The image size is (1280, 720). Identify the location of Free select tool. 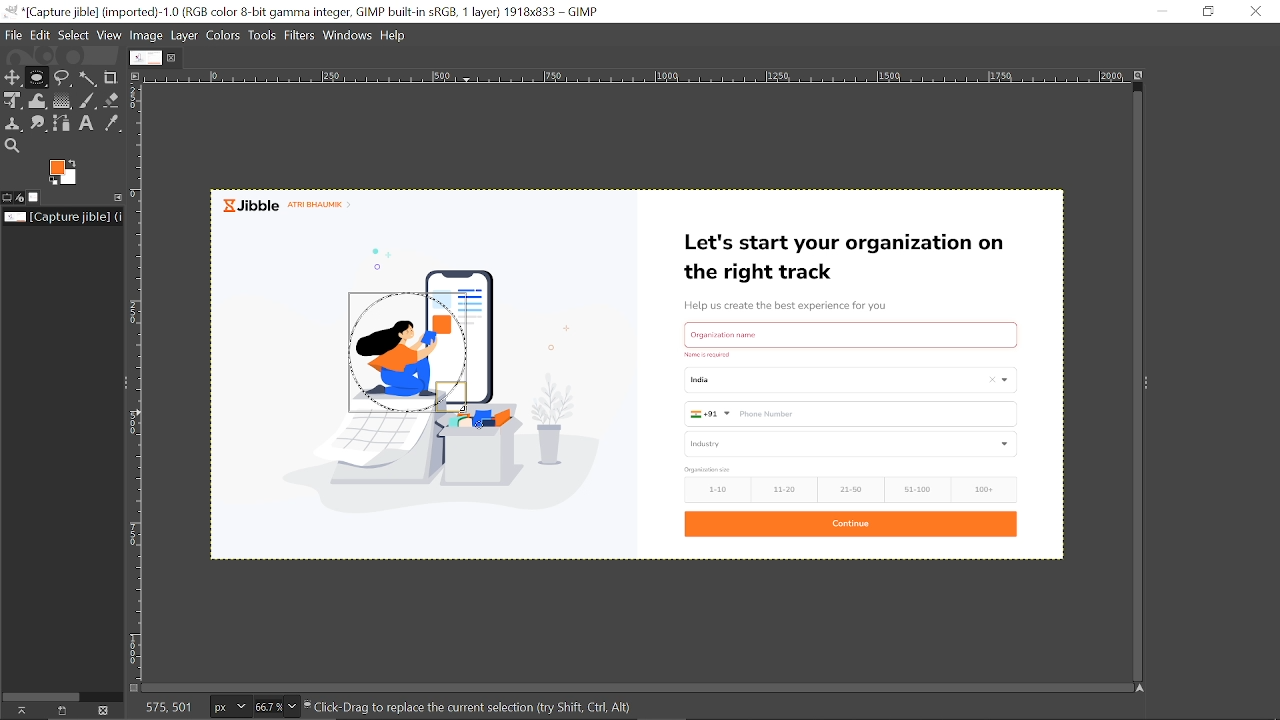
(64, 78).